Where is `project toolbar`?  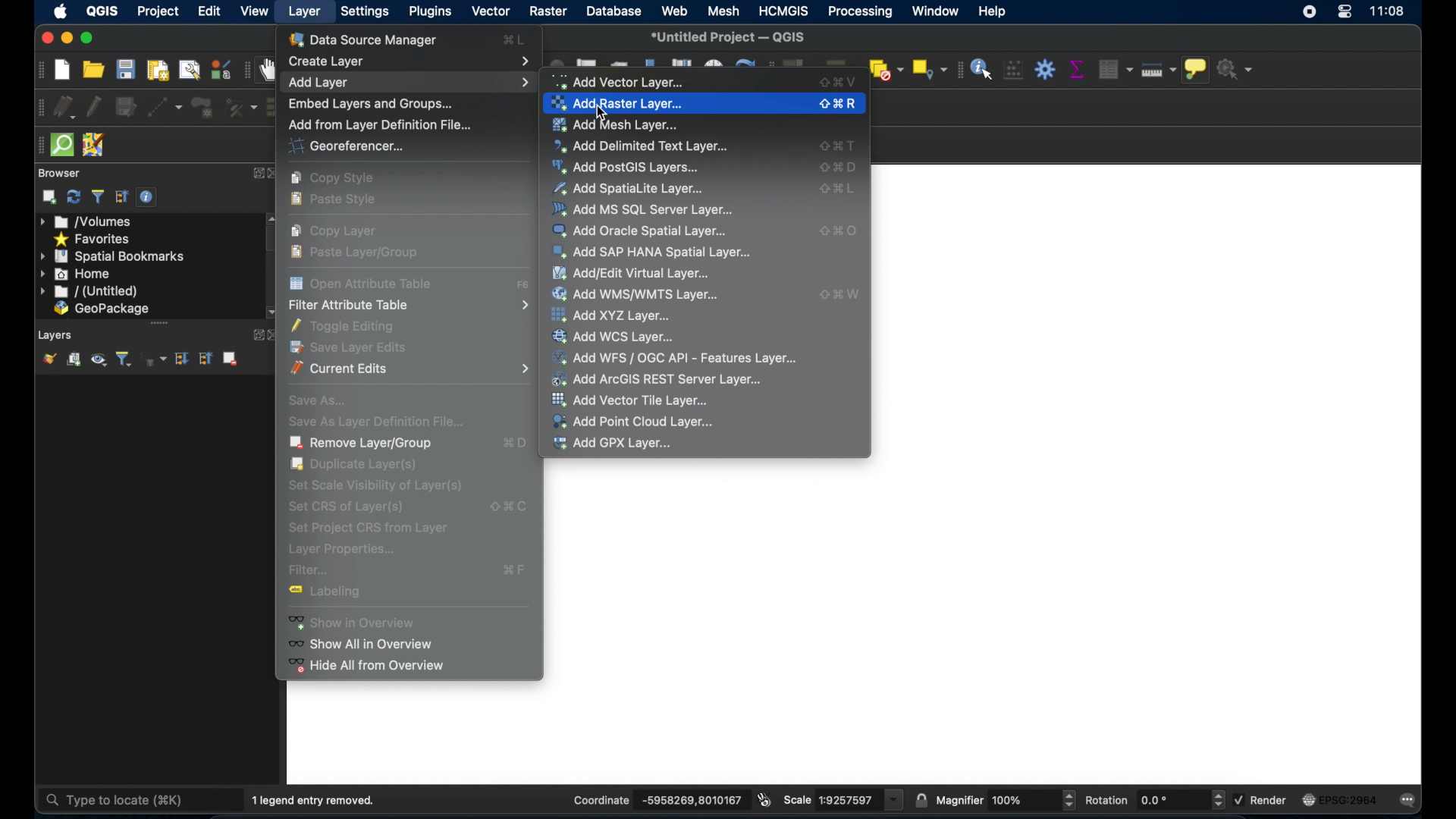
project toolbar is located at coordinates (37, 70).